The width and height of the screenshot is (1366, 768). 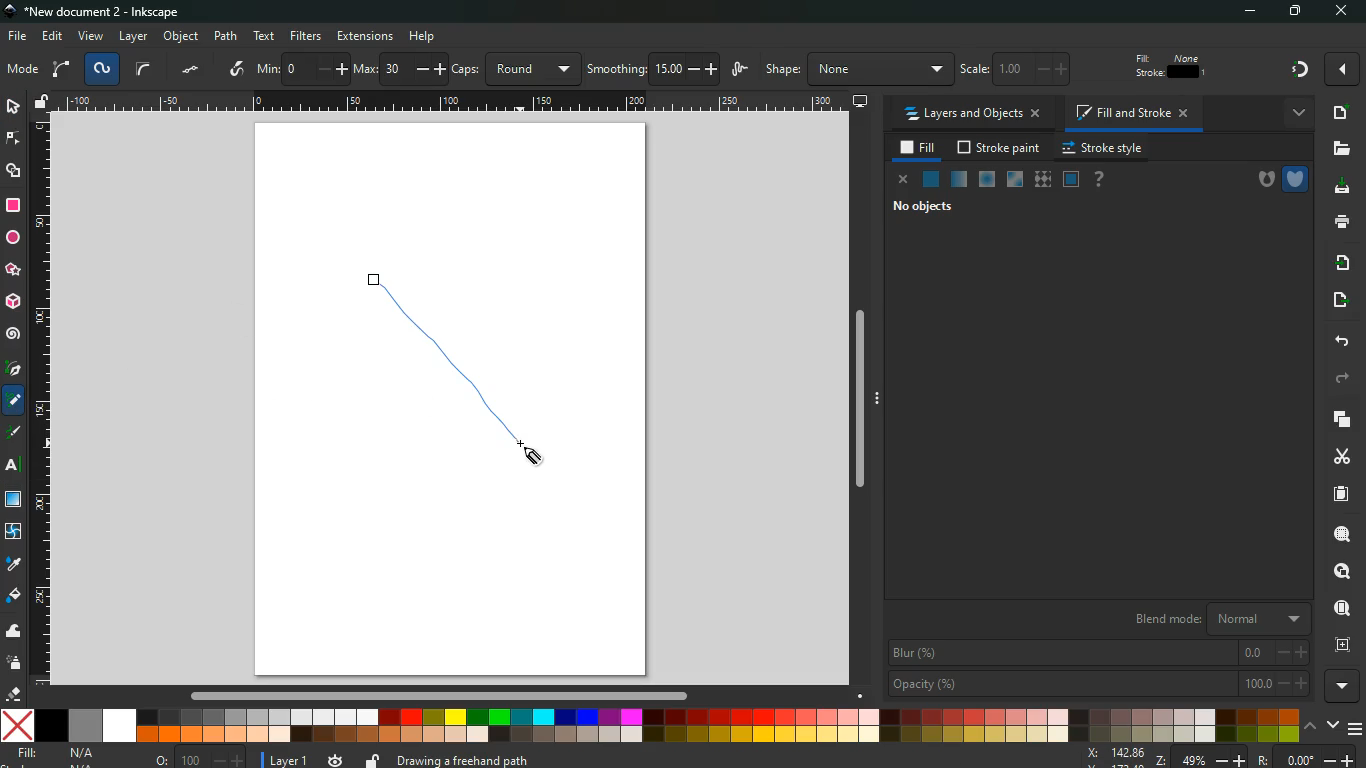 I want to click on wiggle, so click(x=740, y=71).